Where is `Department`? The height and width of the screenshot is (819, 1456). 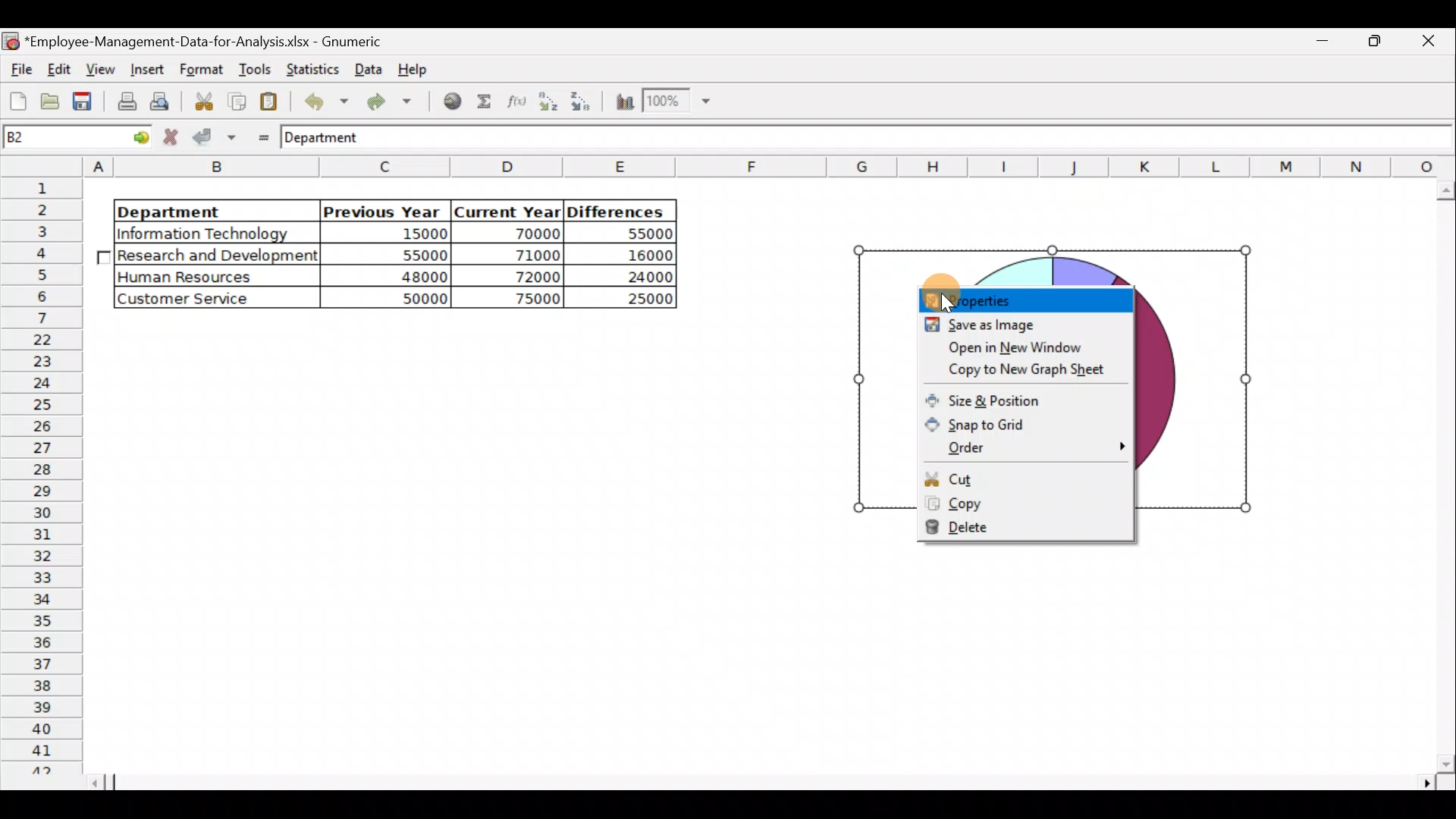 Department is located at coordinates (206, 211).